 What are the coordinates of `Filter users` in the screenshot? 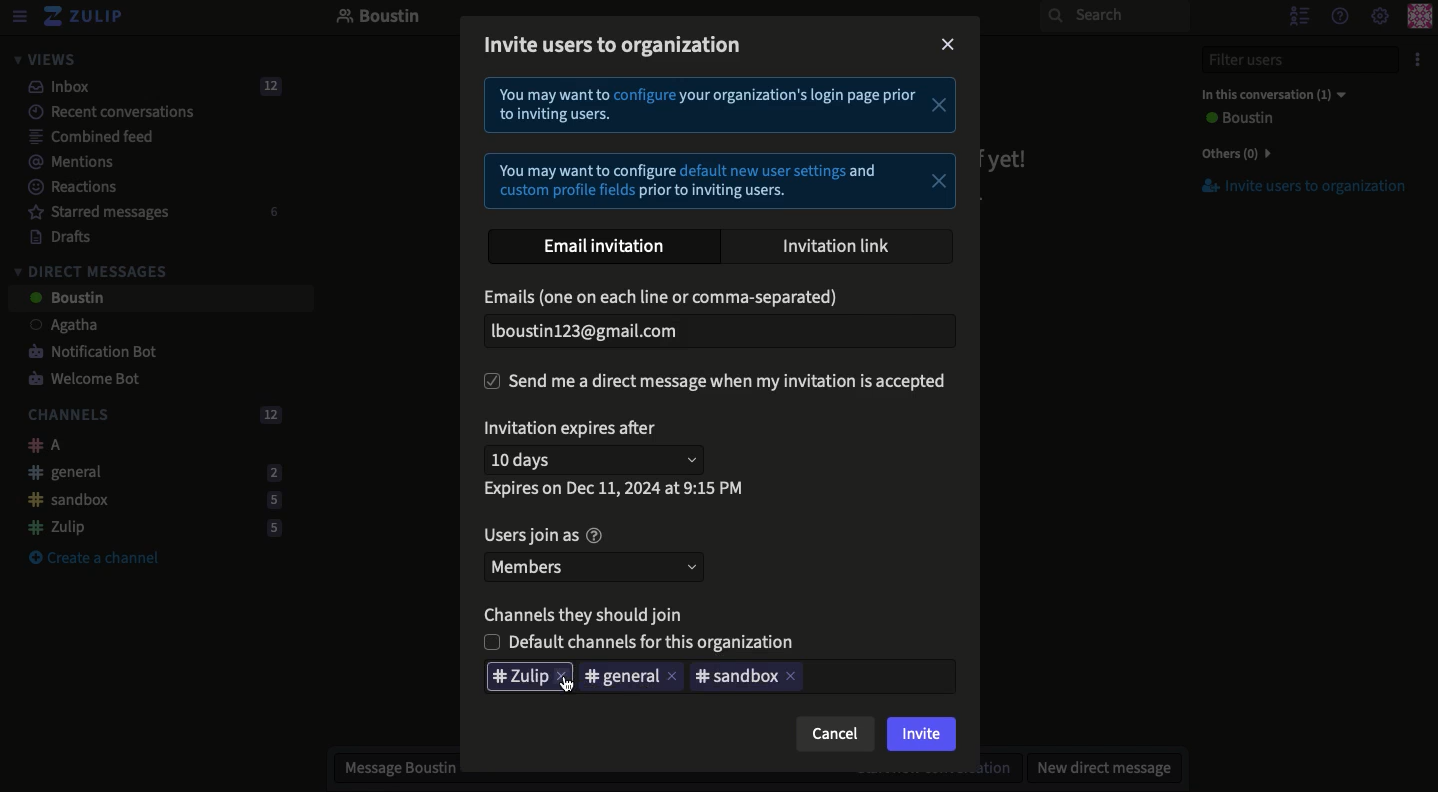 It's located at (1288, 60).